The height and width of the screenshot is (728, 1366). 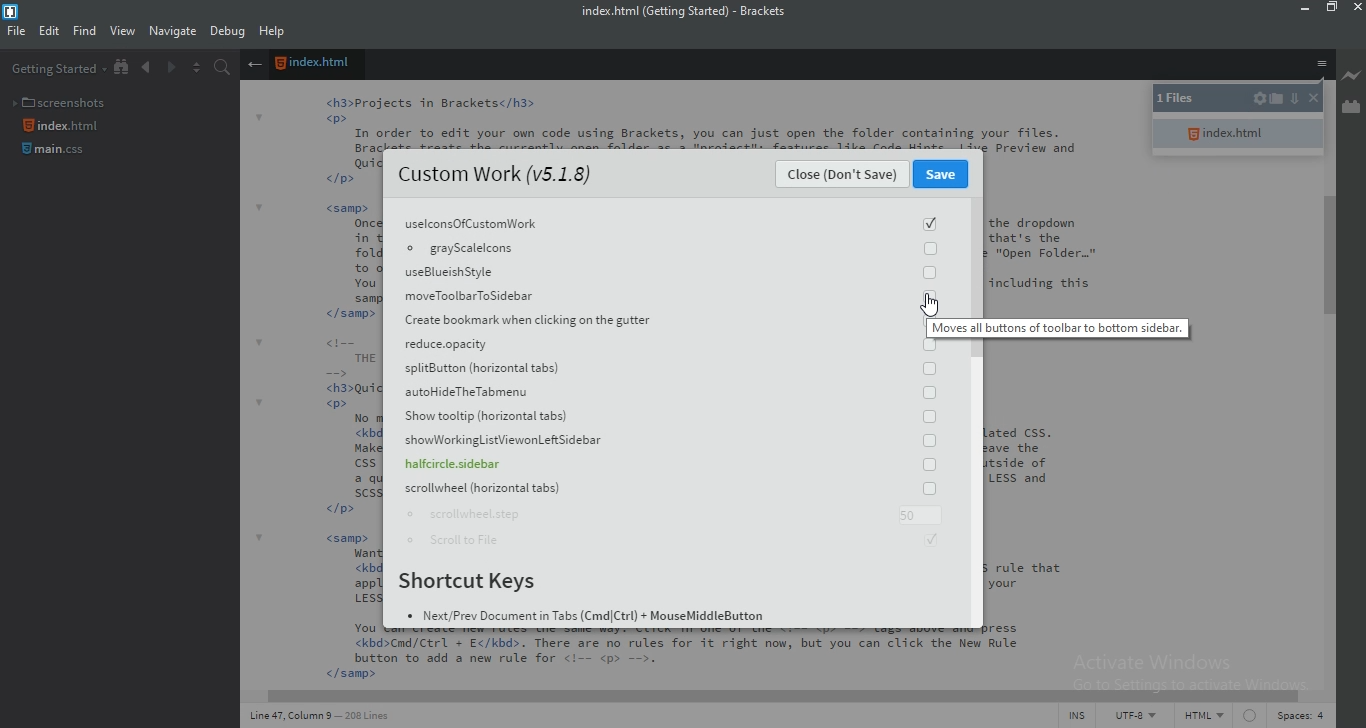 I want to click on live preview, so click(x=1352, y=75).